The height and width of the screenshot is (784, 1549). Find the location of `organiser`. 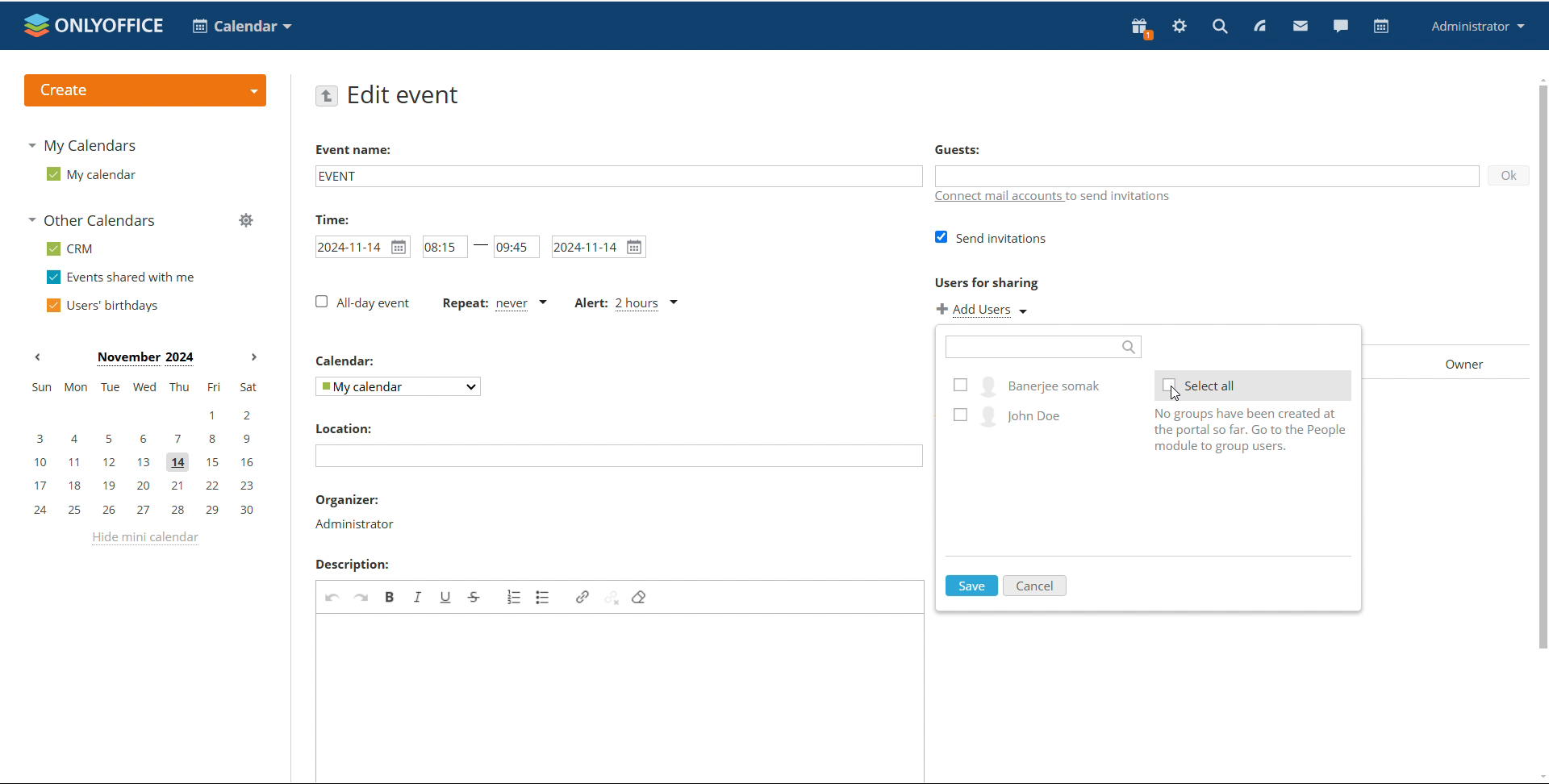

organiser is located at coordinates (346, 499).